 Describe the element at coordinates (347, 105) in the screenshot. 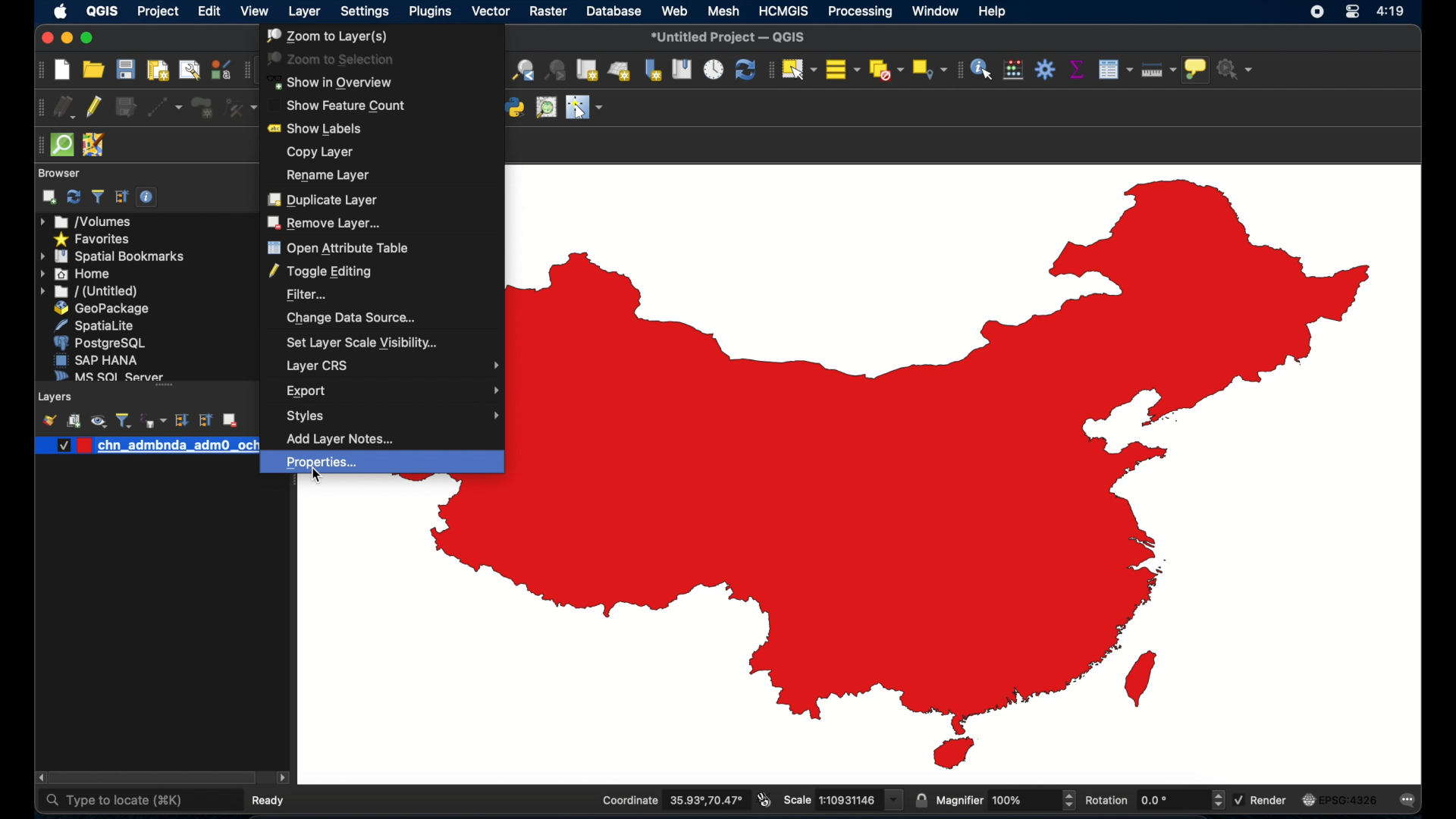

I see `show feature count` at that location.